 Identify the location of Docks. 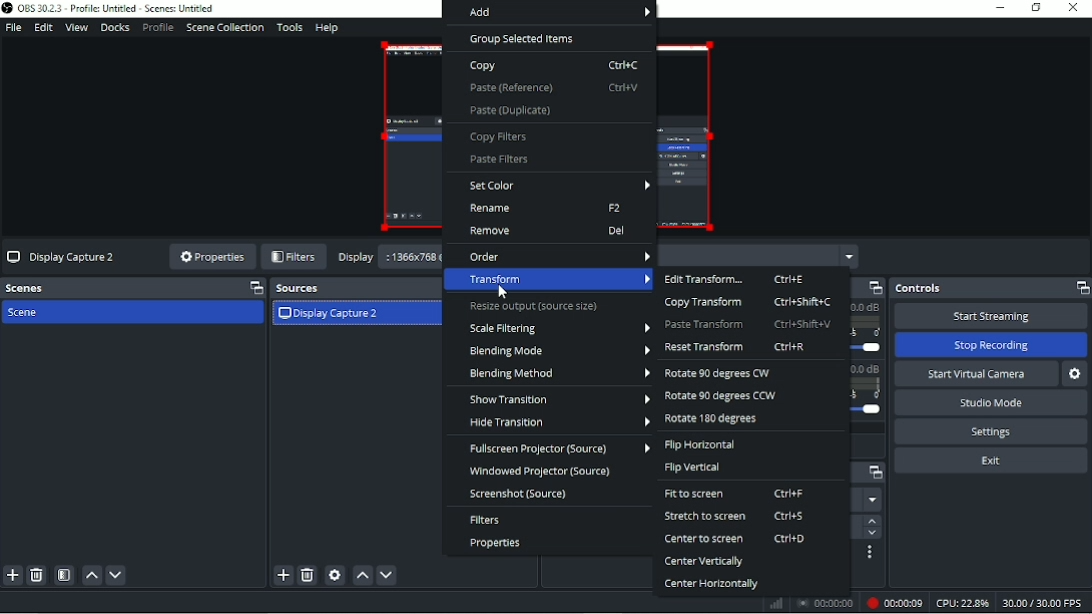
(115, 28).